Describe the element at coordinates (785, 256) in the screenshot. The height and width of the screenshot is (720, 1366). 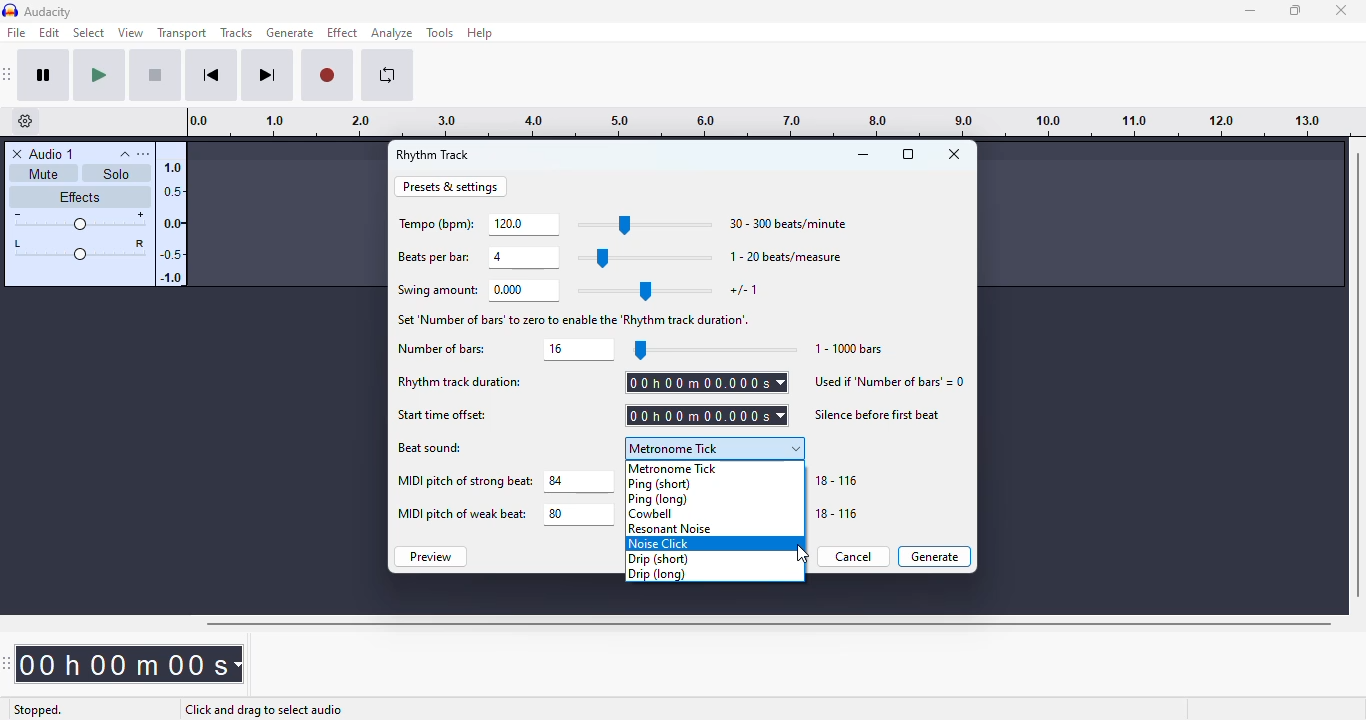
I see `1-20 beats/measure` at that location.